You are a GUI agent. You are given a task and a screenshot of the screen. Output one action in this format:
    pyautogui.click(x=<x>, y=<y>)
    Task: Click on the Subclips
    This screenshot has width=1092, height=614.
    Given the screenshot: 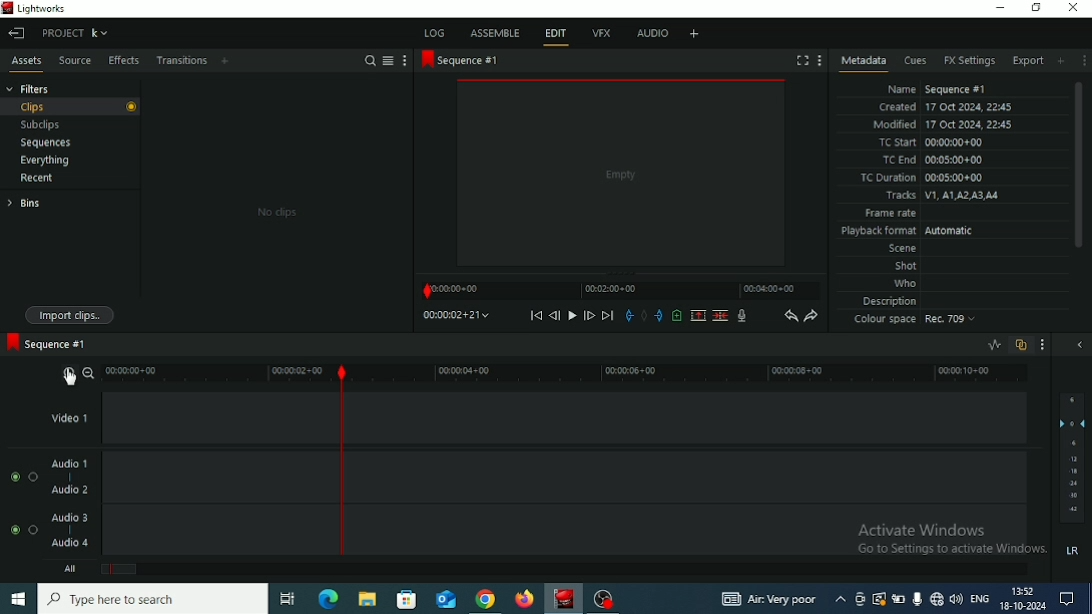 What is the action you would take?
    pyautogui.click(x=40, y=125)
    